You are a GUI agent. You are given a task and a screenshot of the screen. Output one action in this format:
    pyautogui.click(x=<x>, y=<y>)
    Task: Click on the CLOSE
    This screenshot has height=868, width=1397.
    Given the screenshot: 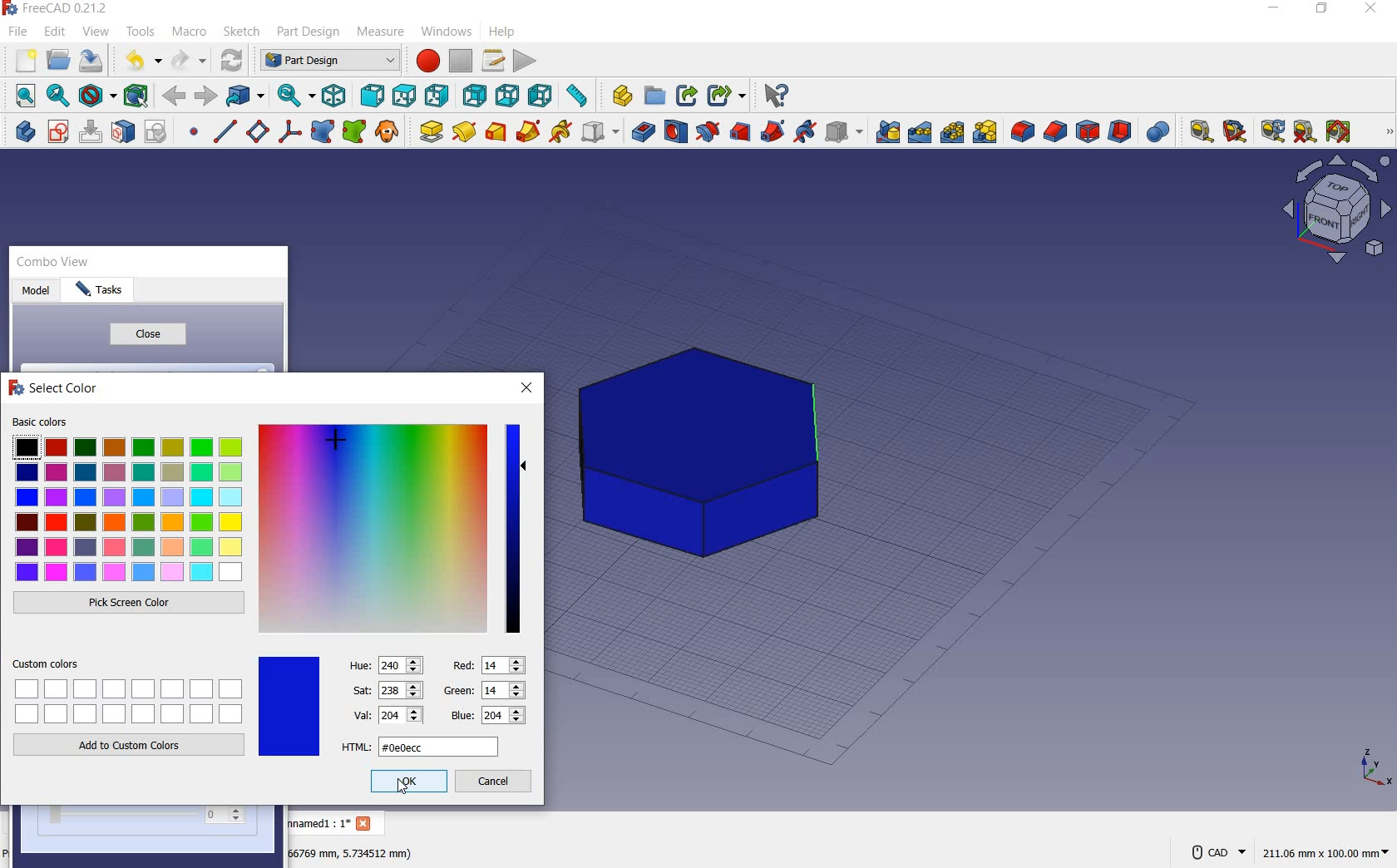 What is the action you would take?
    pyautogui.click(x=1373, y=8)
    